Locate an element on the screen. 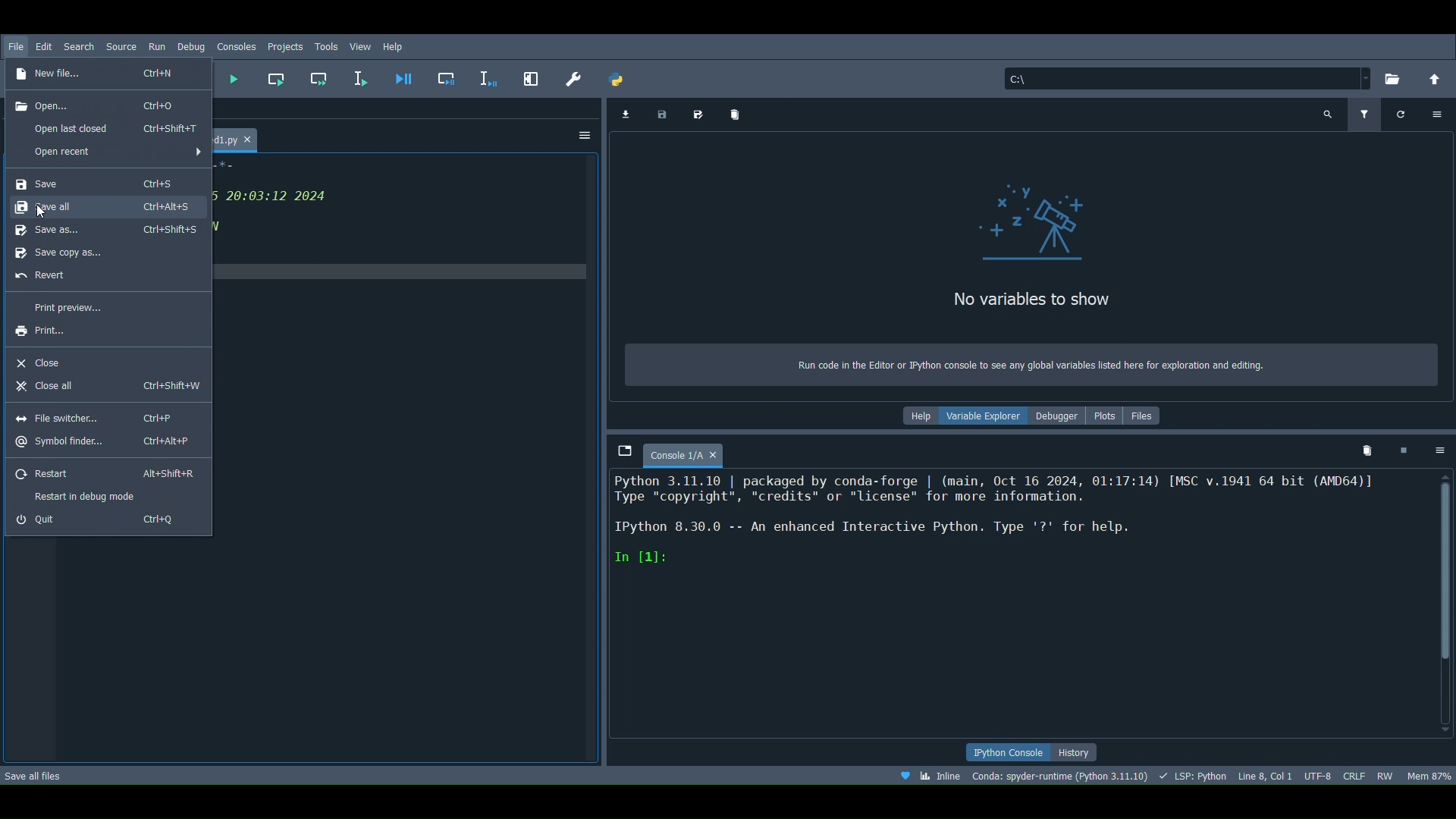  Filter variables is located at coordinates (1362, 115).